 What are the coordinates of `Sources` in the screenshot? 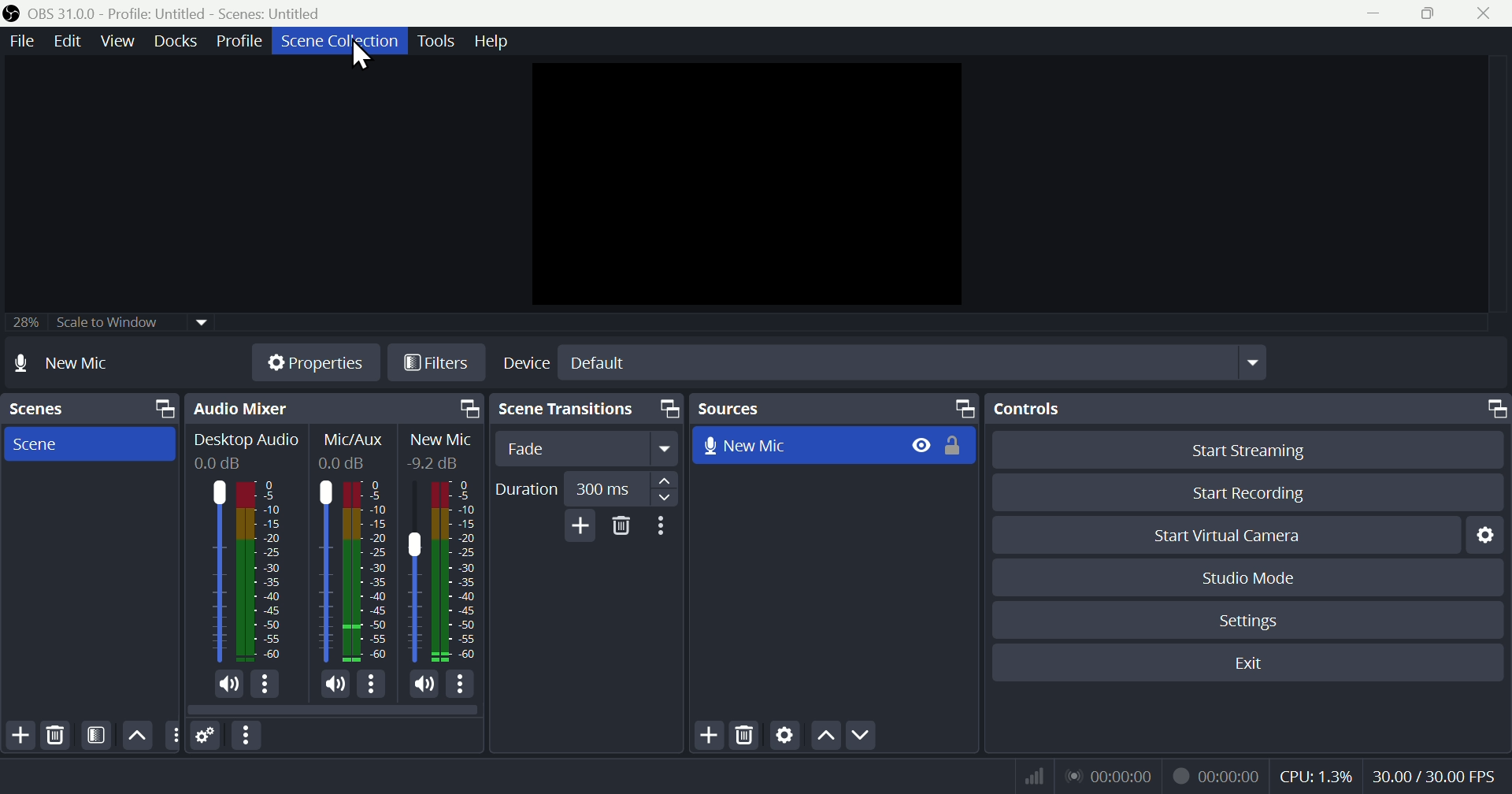 It's located at (835, 406).